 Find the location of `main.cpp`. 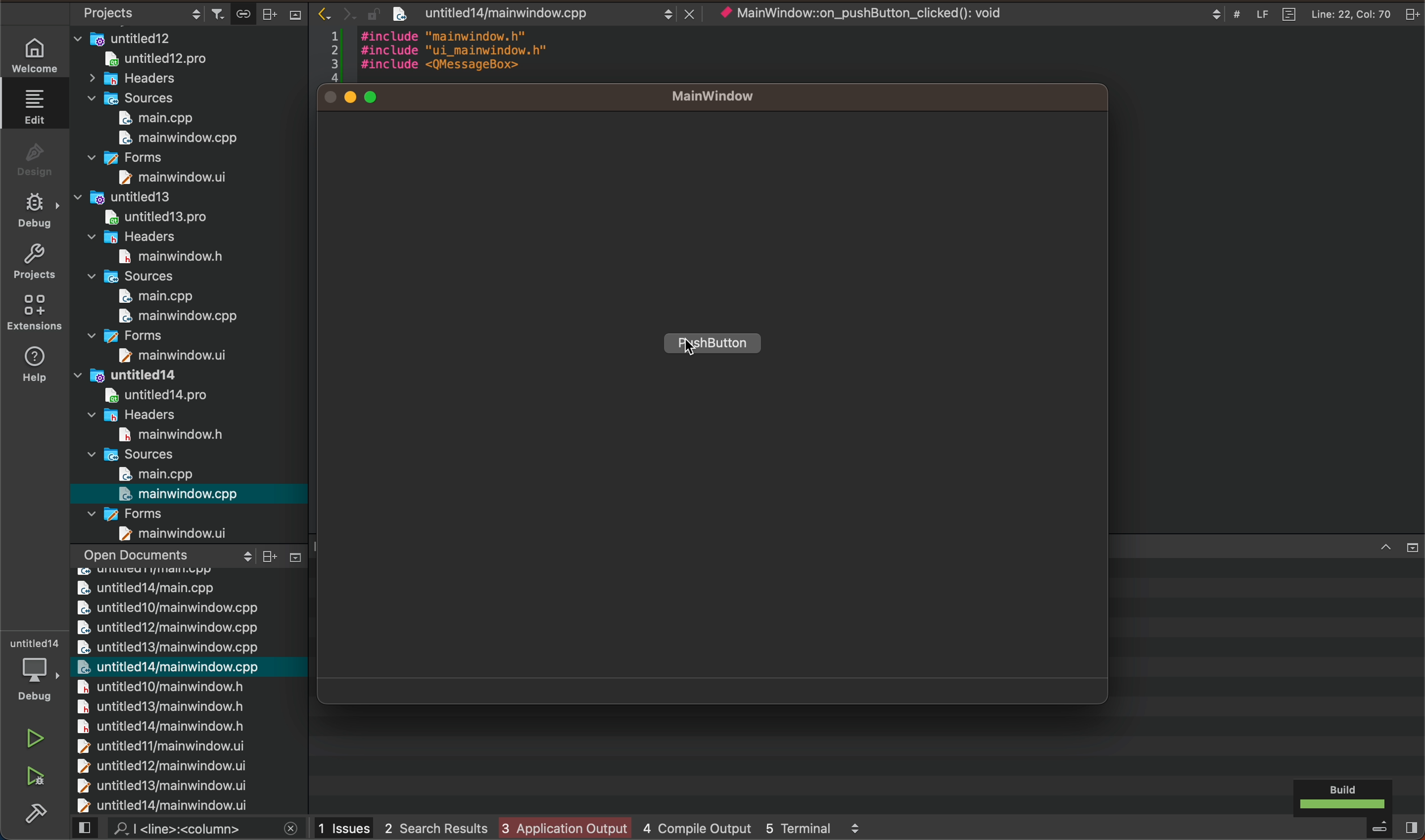

main.cpp is located at coordinates (160, 474).